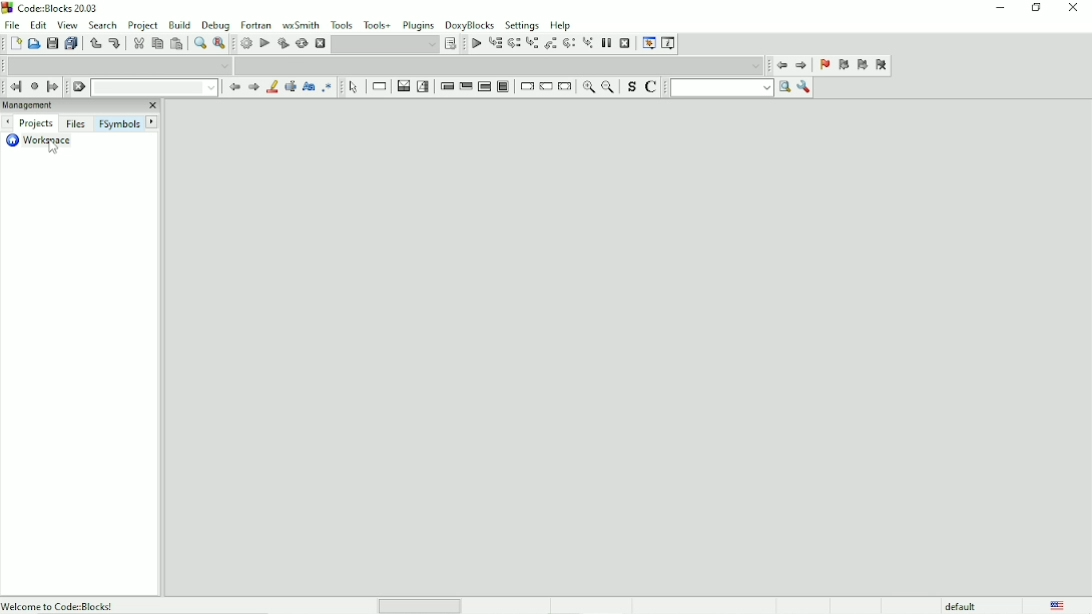  I want to click on Minimize, so click(999, 8).